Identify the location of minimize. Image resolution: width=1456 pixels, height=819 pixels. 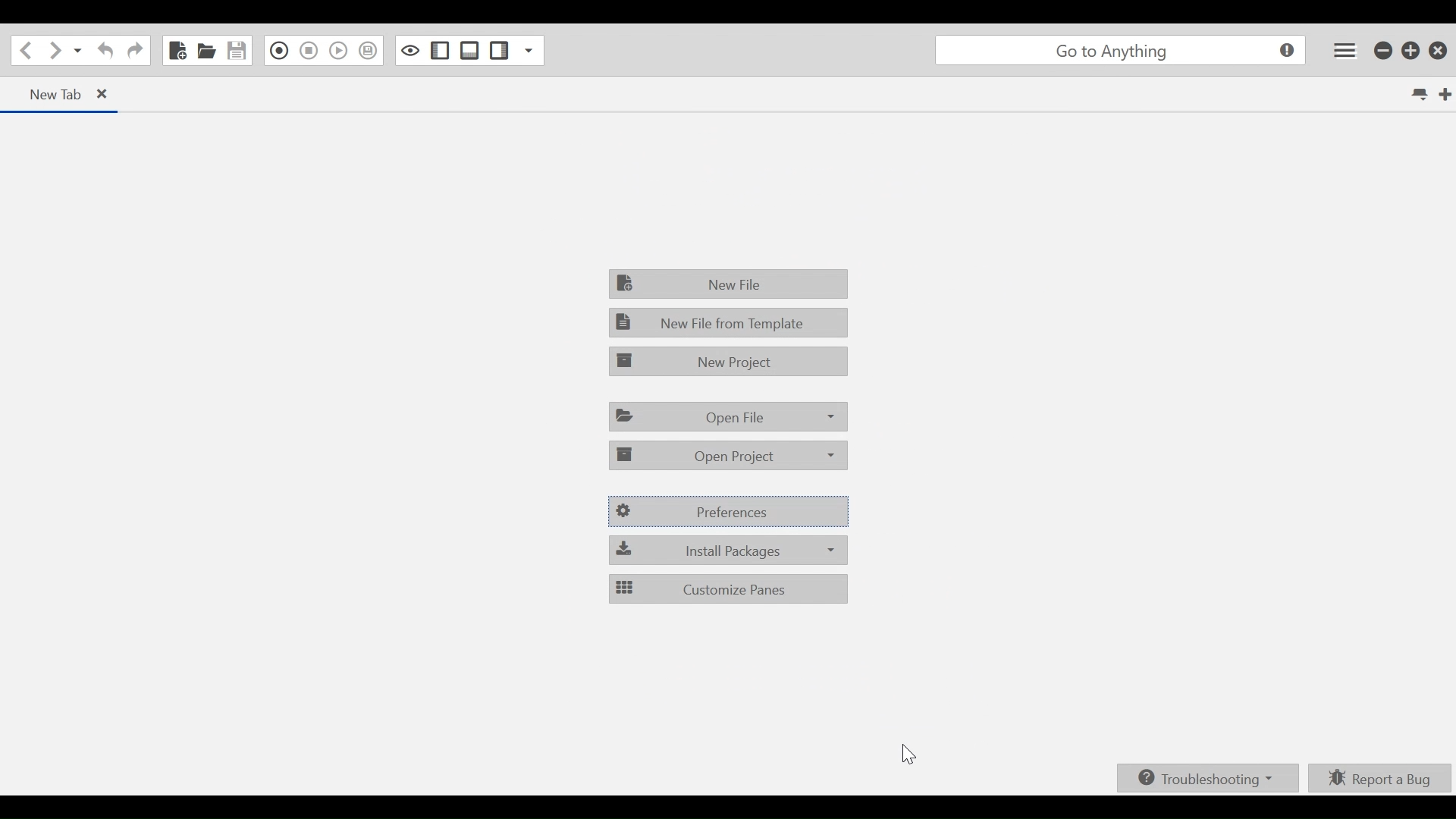
(1384, 52).